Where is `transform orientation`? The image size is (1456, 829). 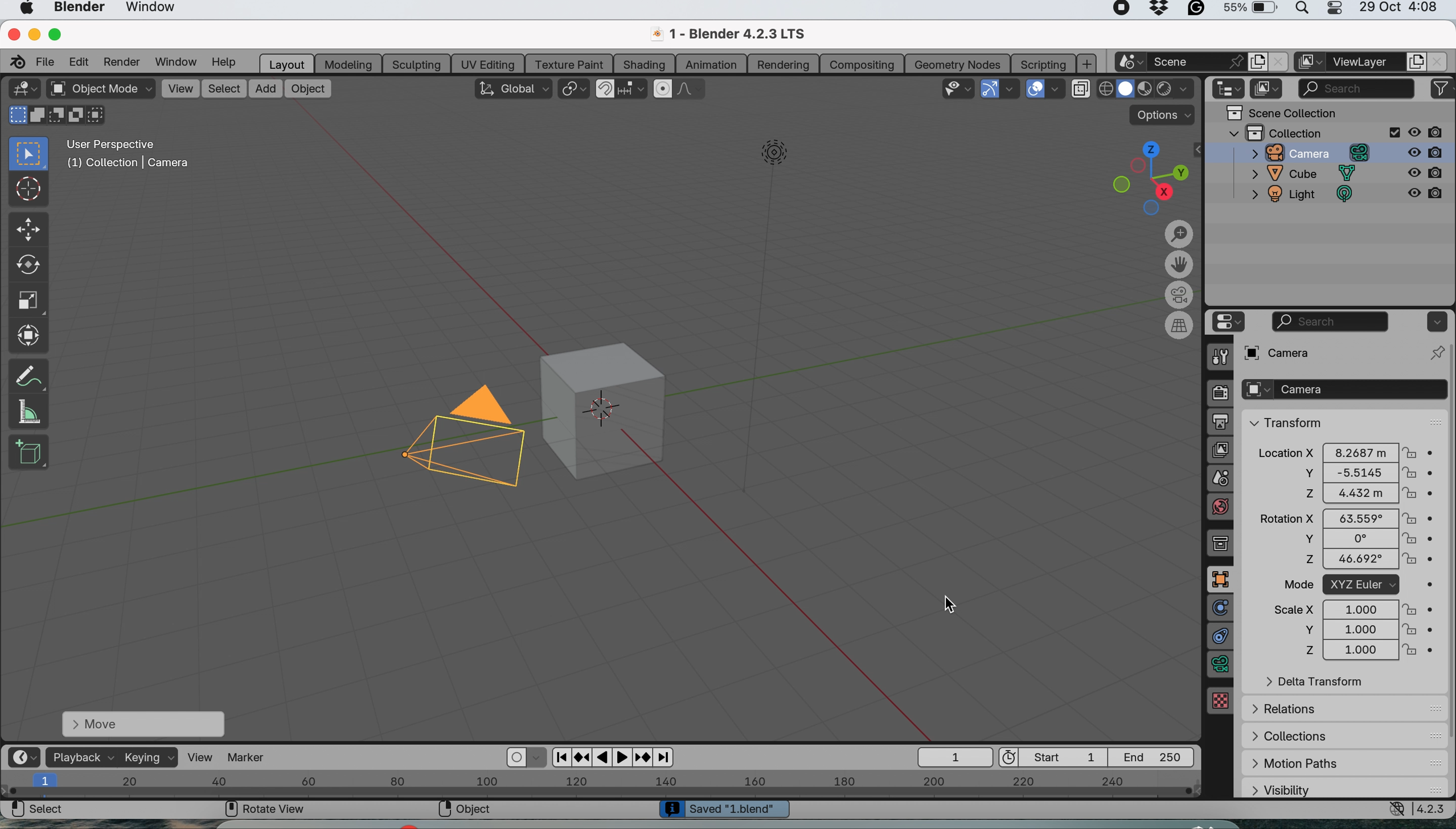
transform orientation is located at coordinates (513, 88).